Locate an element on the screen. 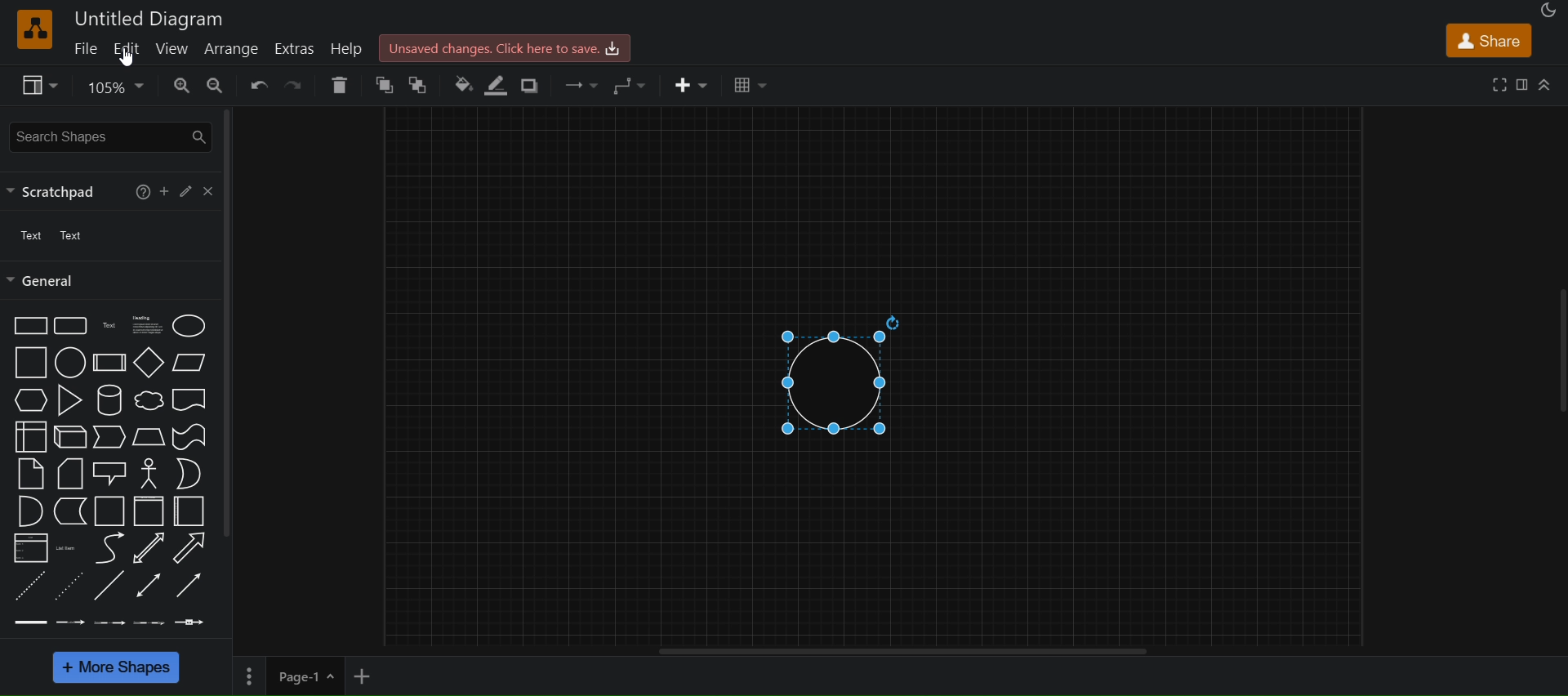 The height and width of the screenshot is (696, 1568). bidirectional connector is located at coordinates (149, 584).